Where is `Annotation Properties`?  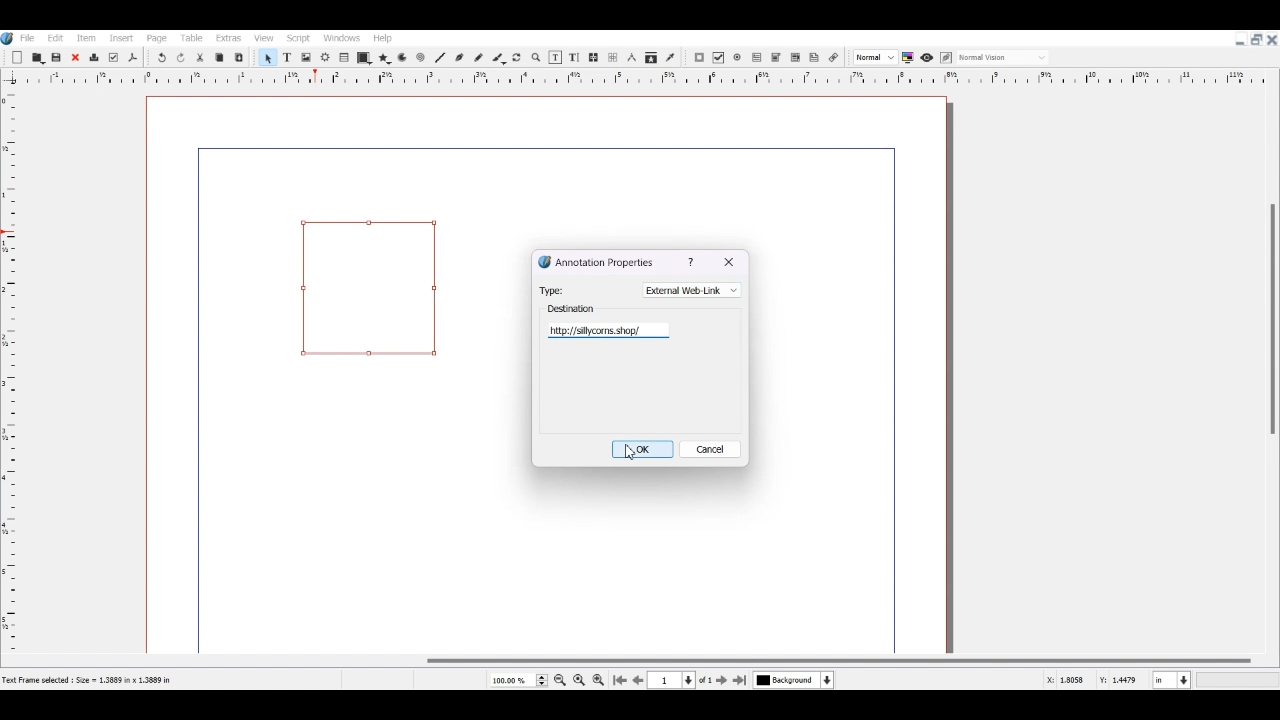 Annotation Properties is located at coordinates (596, 261).